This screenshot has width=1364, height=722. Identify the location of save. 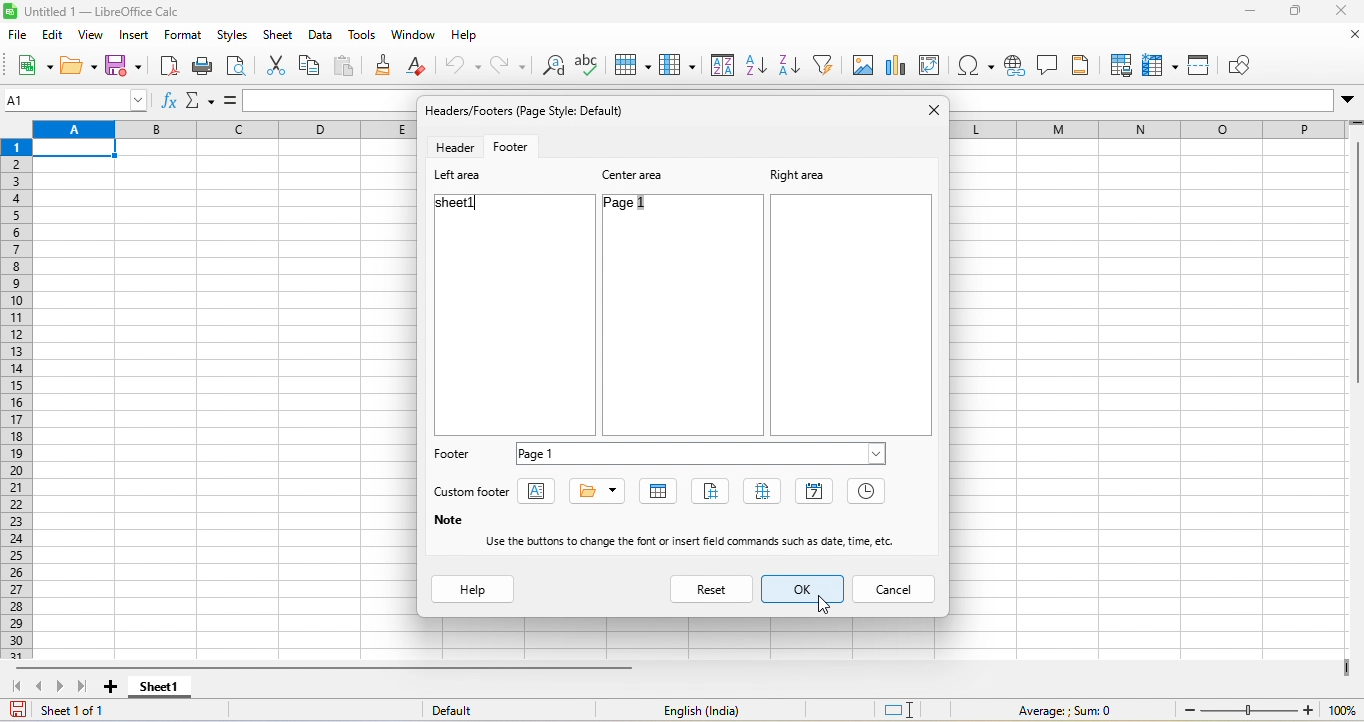
(123, 67).